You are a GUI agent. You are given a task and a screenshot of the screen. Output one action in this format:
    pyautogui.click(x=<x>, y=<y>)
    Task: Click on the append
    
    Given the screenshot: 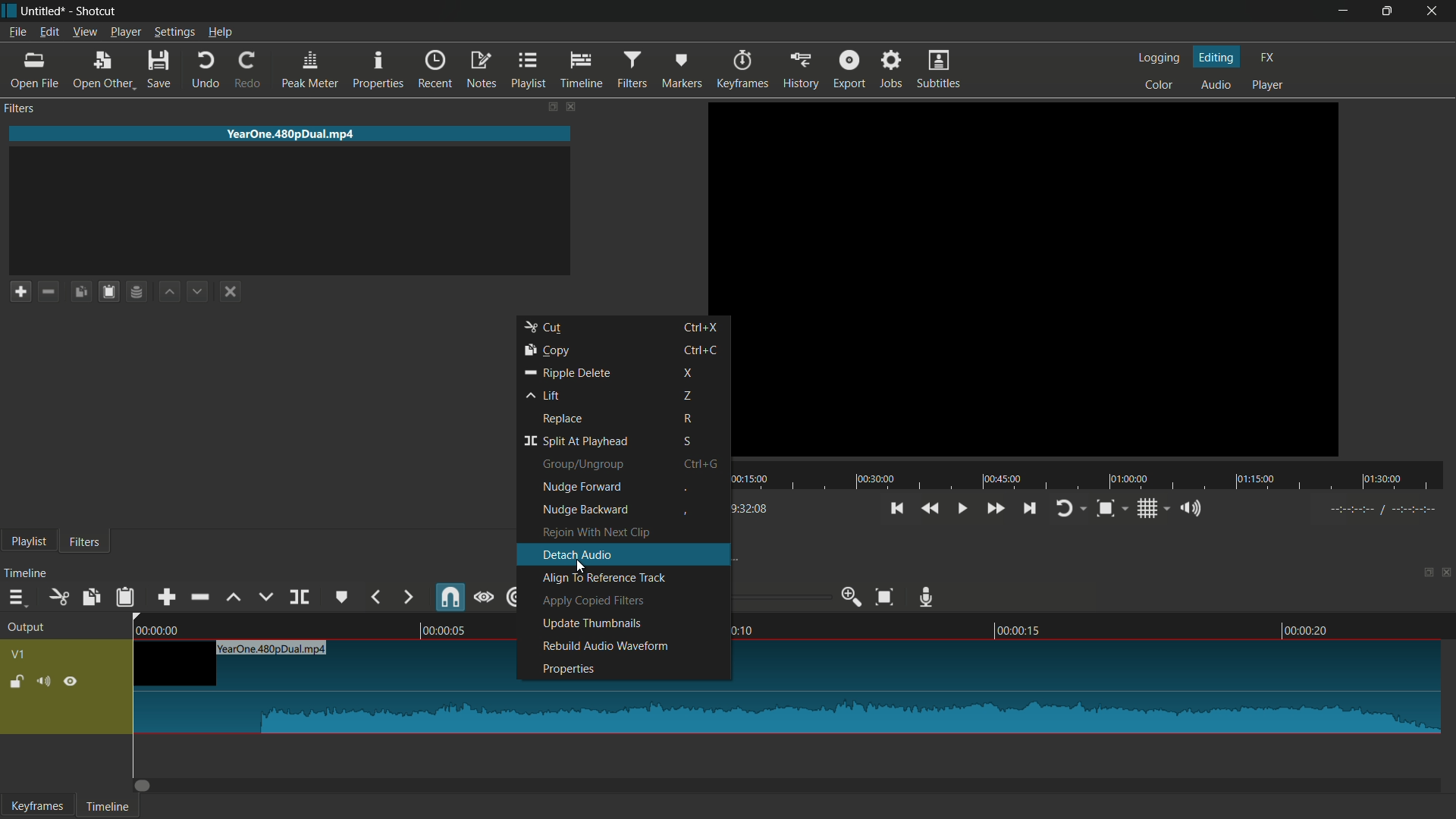 What is the action you would take?
    pyautogui.click(x=166, y=598)
    